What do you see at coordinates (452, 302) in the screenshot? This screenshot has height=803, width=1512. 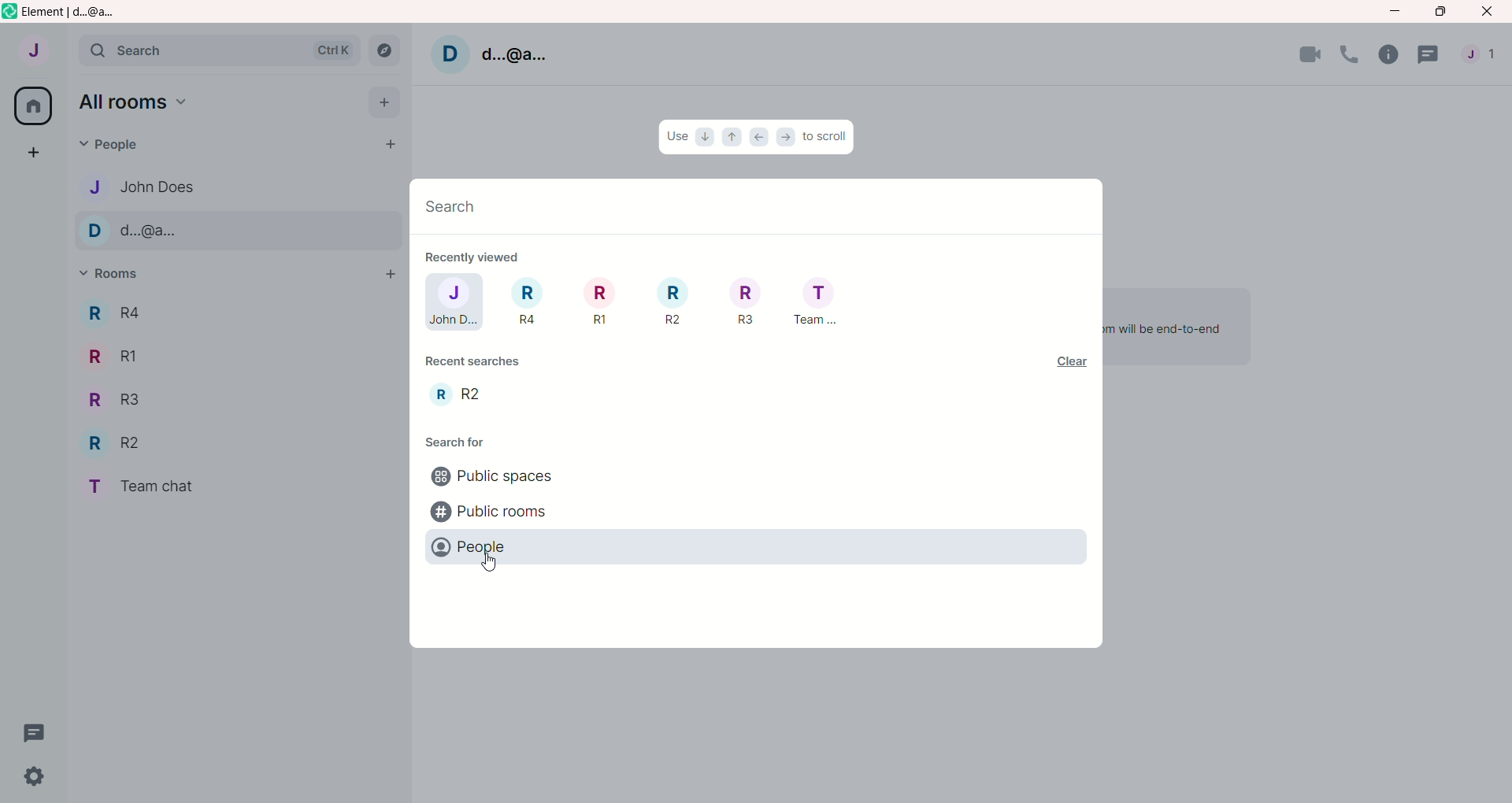 I see `recent user` at bounding box center [452, 302].